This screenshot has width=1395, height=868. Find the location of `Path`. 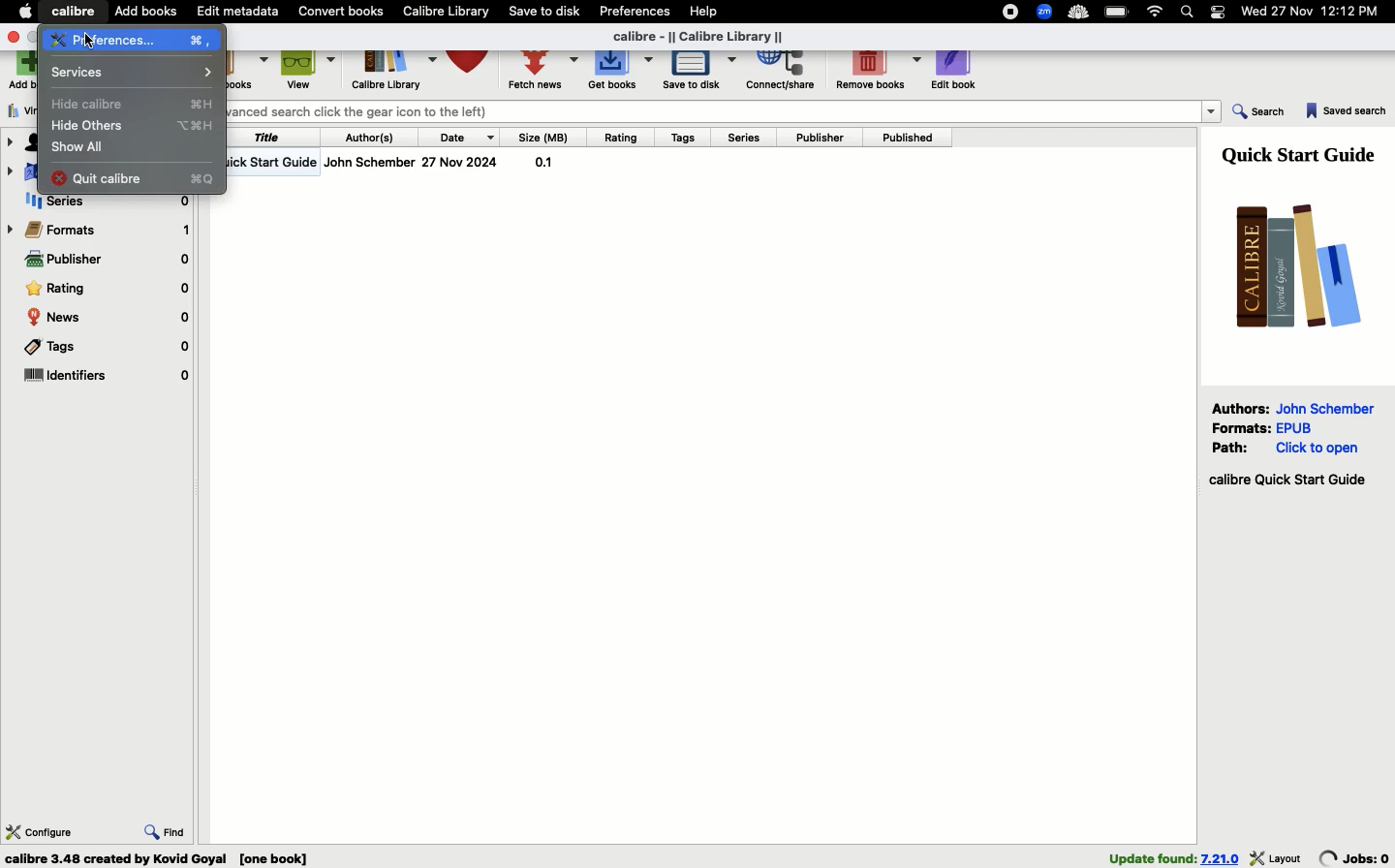

Path is located at coordinates (1233, 447).